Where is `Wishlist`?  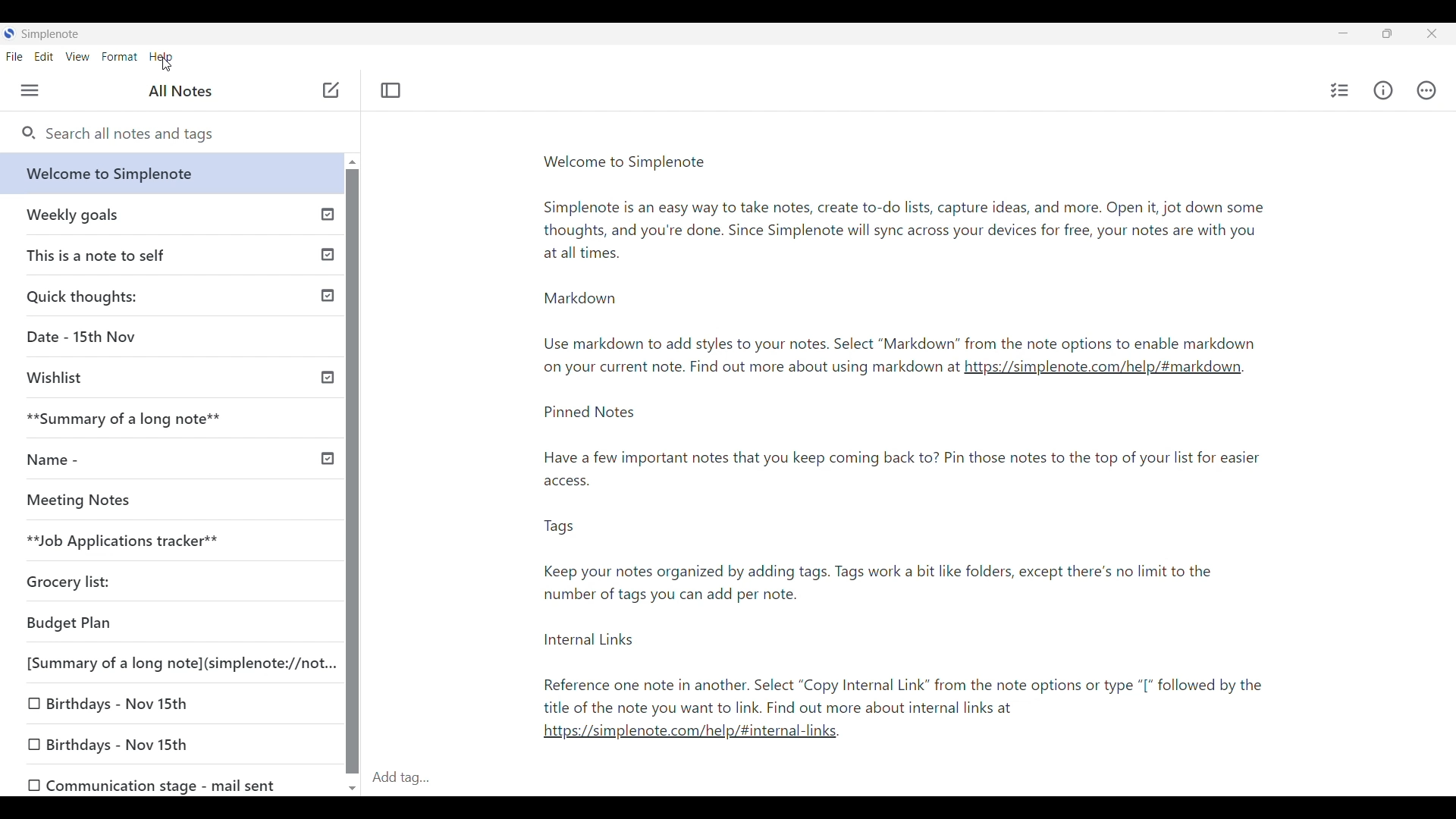
Wishlist is located at coordinates (142, 381).